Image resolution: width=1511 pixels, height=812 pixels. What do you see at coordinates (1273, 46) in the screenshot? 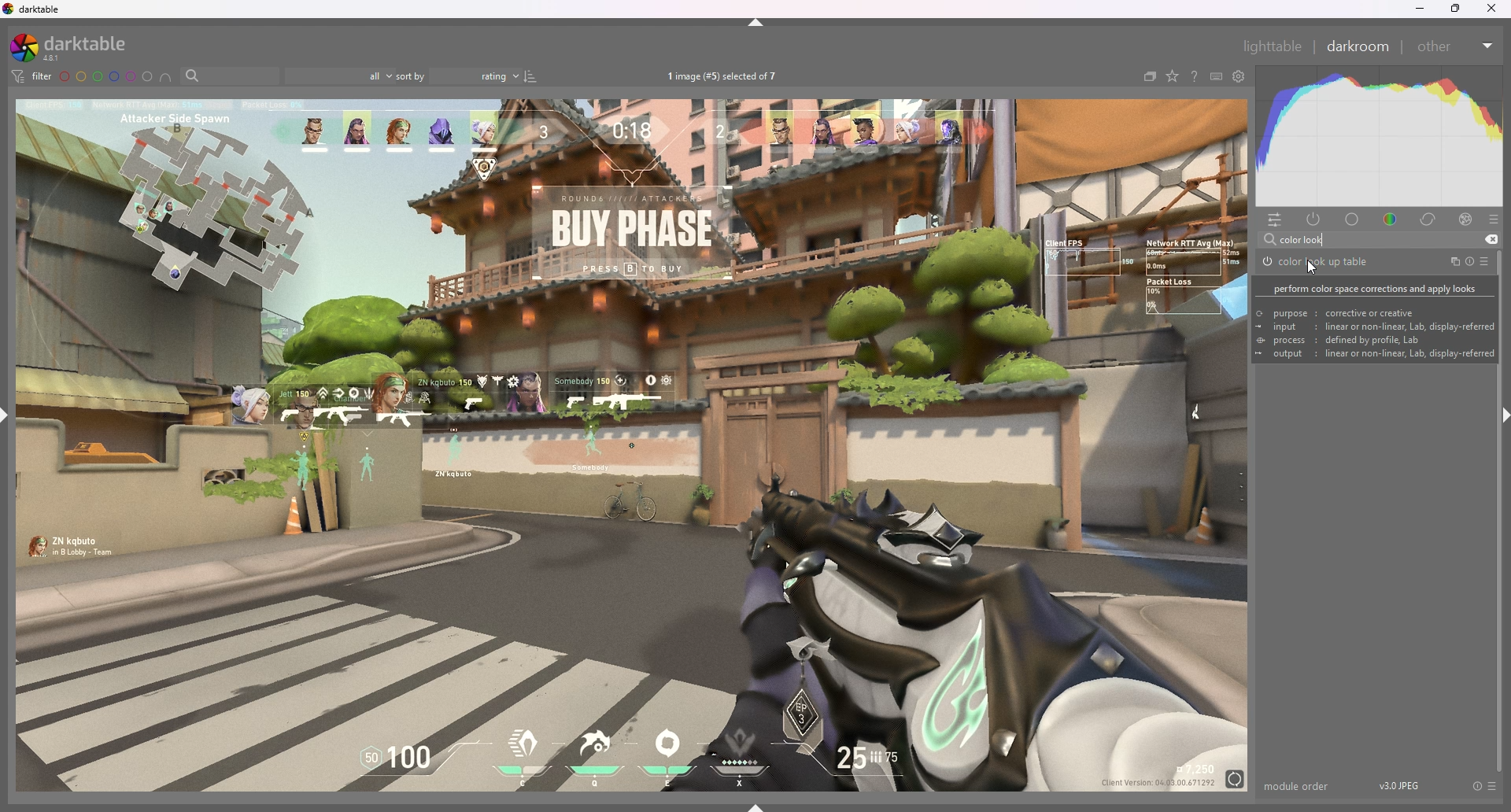
I see `lighttable` at bounding box center [1273, 46].